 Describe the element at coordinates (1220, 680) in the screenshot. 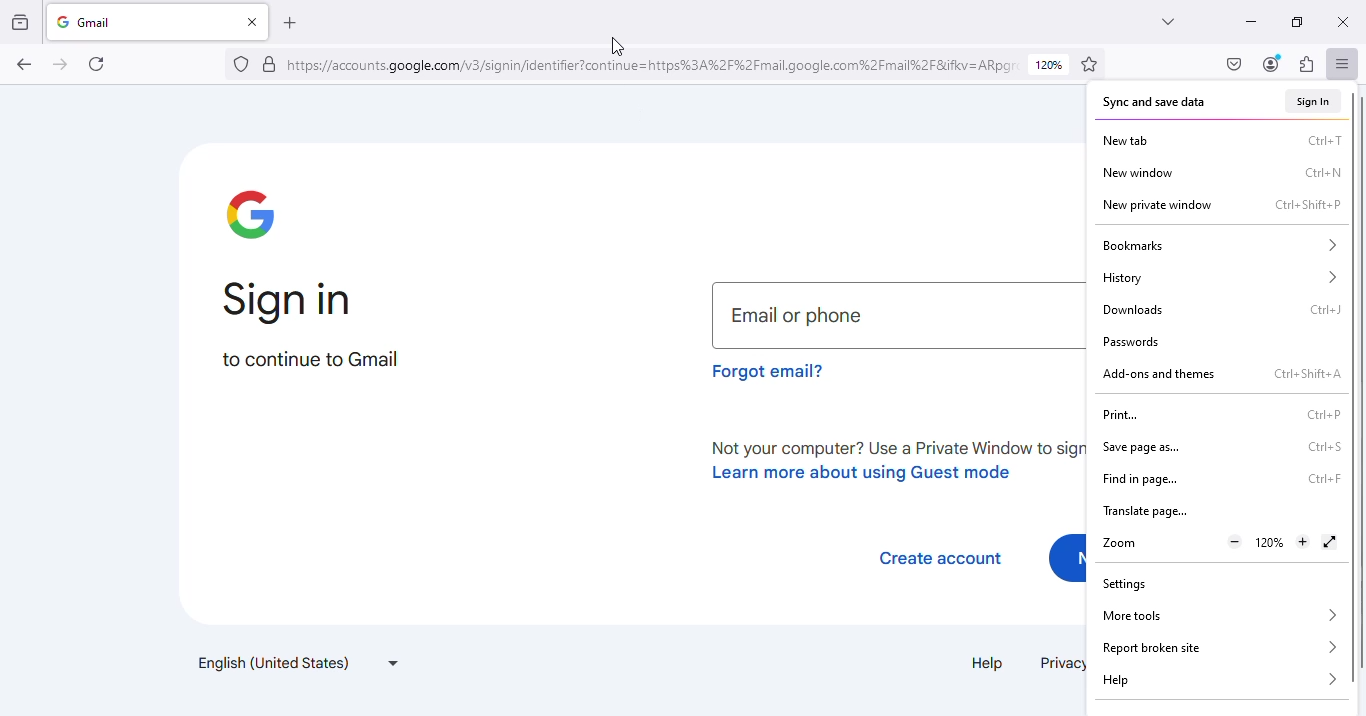

I see `help` at that location.